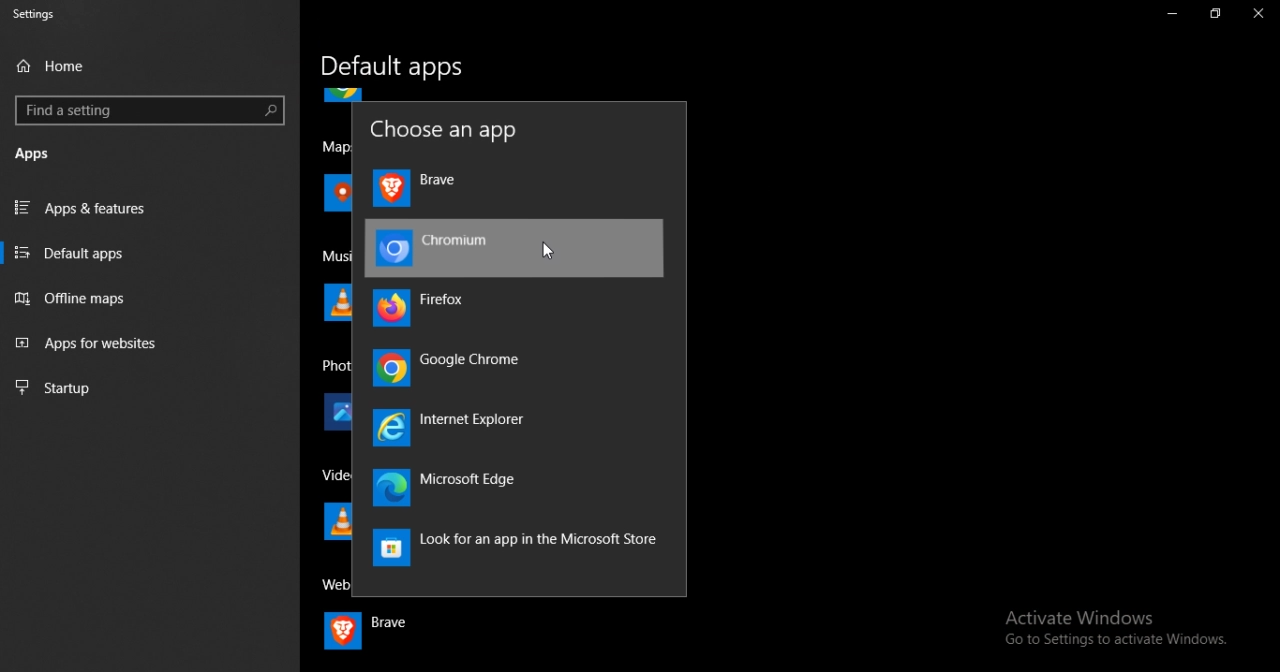 The height and width of the screenshot is (672, 1280). I want to click on choose an app, so click(449, 129).